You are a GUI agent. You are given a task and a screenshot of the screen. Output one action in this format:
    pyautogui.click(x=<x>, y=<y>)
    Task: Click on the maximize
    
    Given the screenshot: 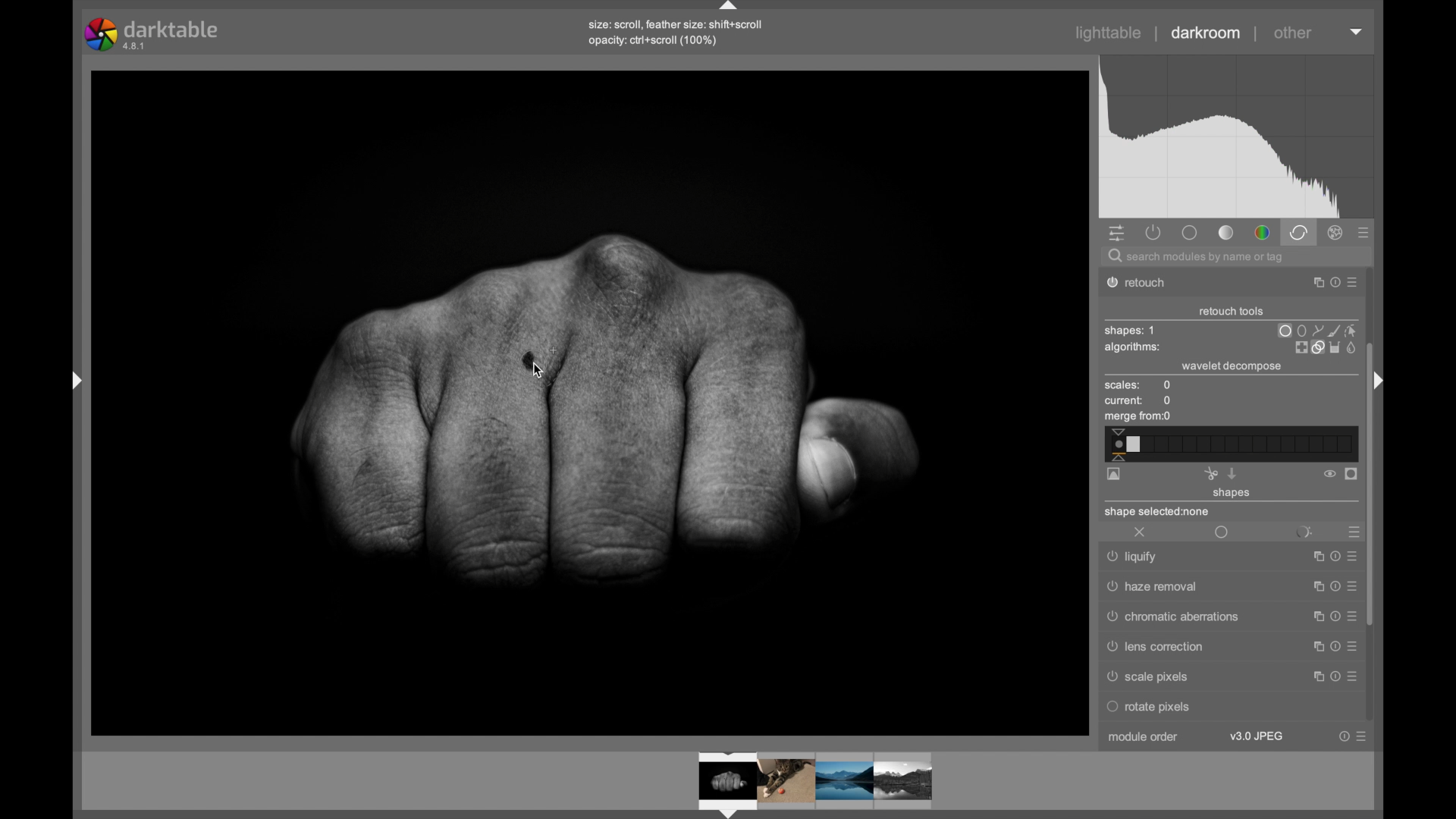 What is the action you would take?
    pyautogui.click(x=1314, y=646)
    